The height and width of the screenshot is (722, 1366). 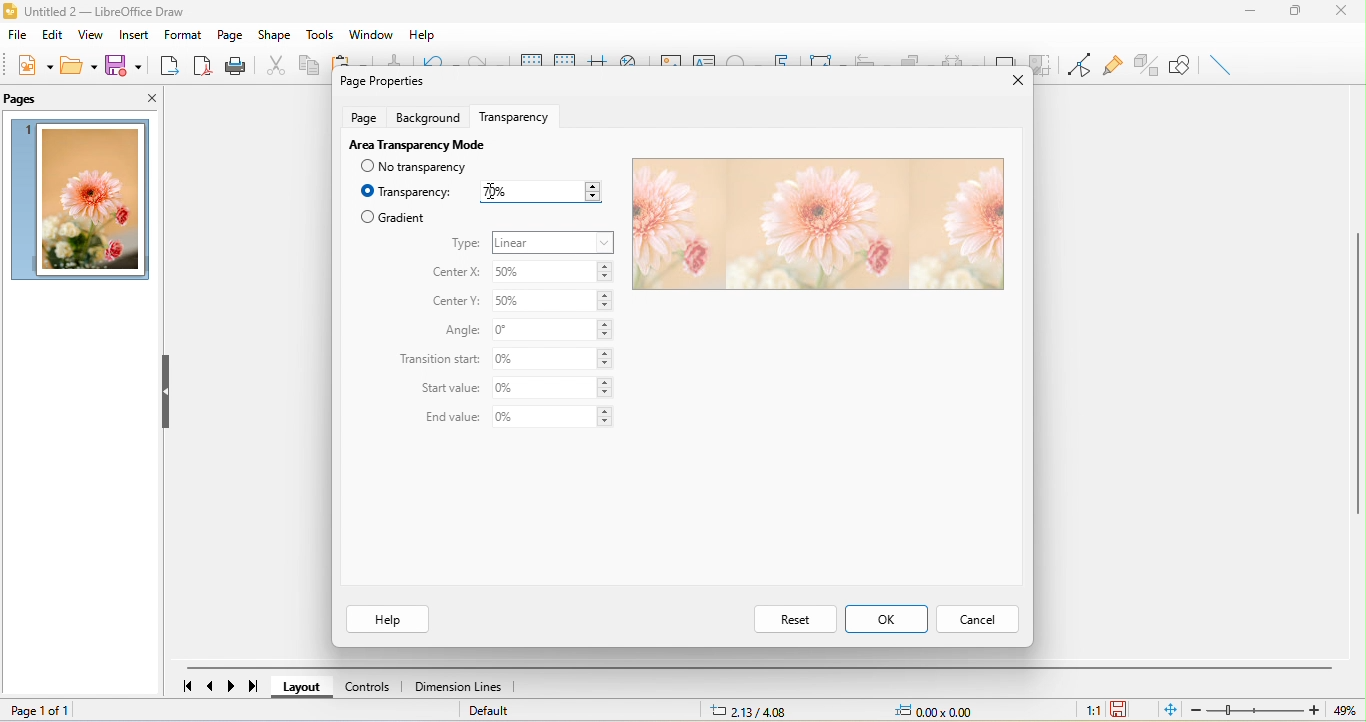 What do you see at coordinates (138, 33) in the screenshot?
I see `insert` at bounding box center [138, 33].